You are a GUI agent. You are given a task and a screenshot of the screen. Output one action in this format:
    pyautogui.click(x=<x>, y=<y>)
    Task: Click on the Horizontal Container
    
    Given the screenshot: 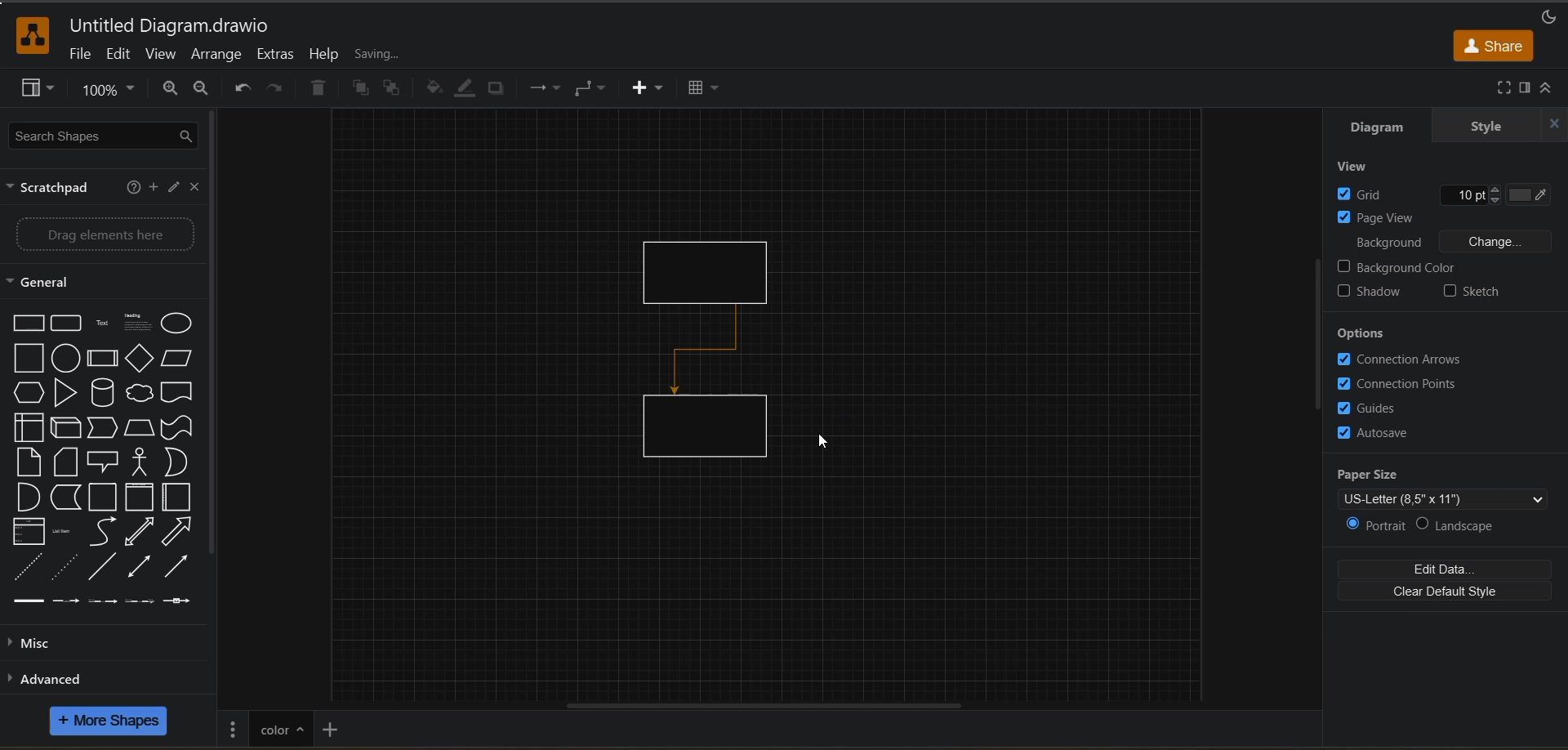 What is the action you would take?
    pyautogui.click(x=180, y=498)
    